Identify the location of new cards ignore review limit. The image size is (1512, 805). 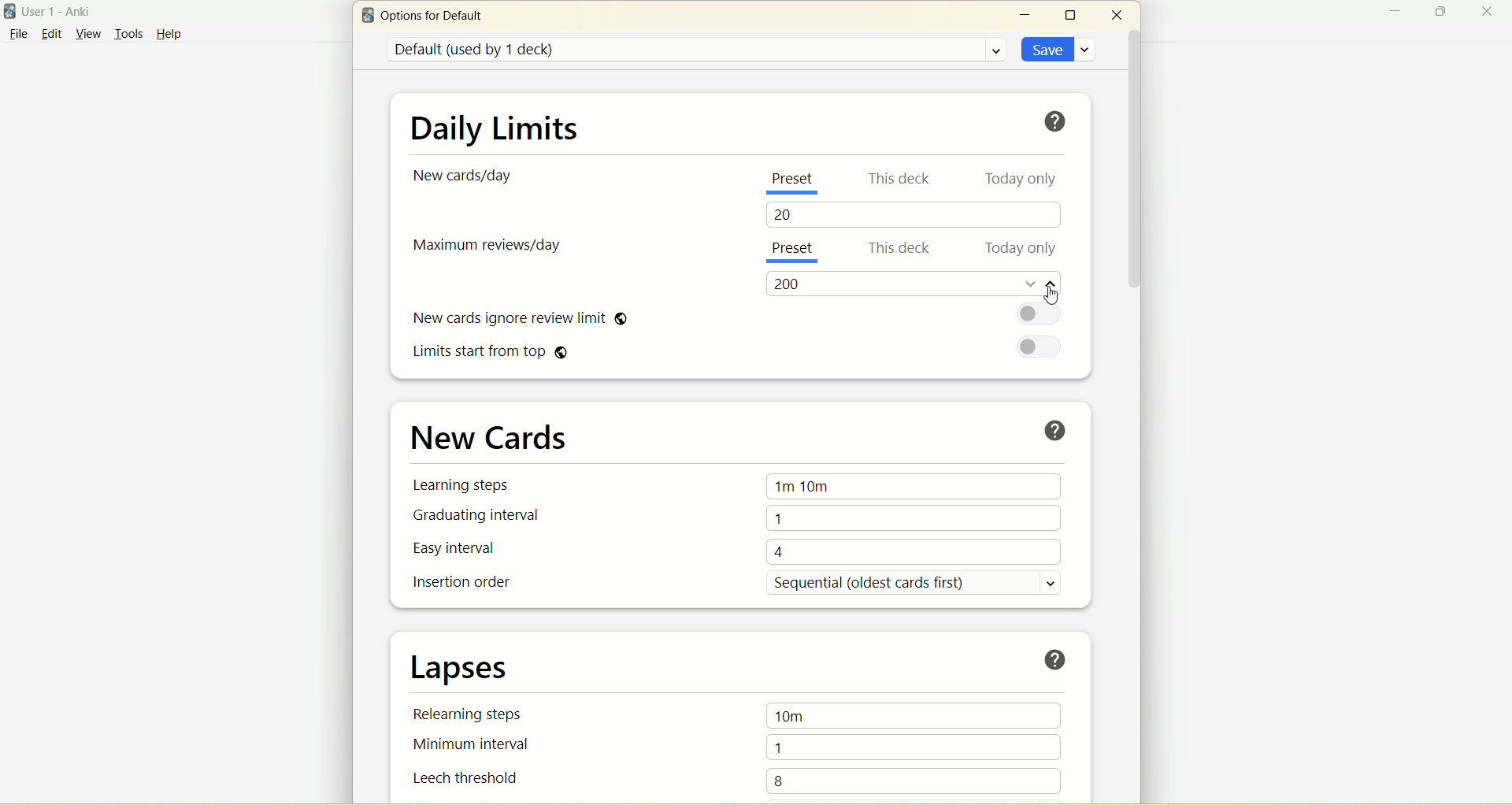
(523, 321).